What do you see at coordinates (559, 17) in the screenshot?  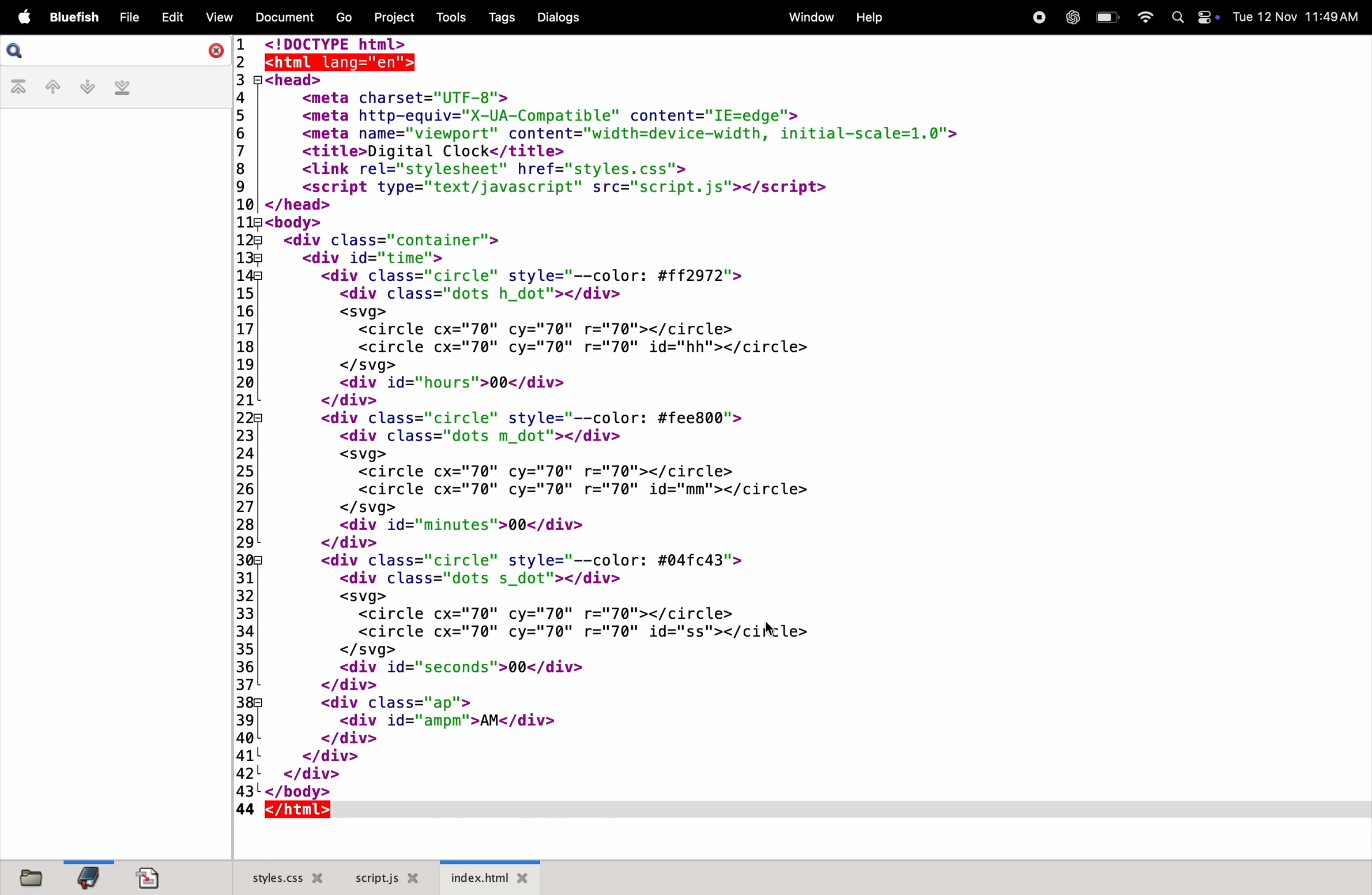 I see `dialogs` at bounding box center [559, 17].